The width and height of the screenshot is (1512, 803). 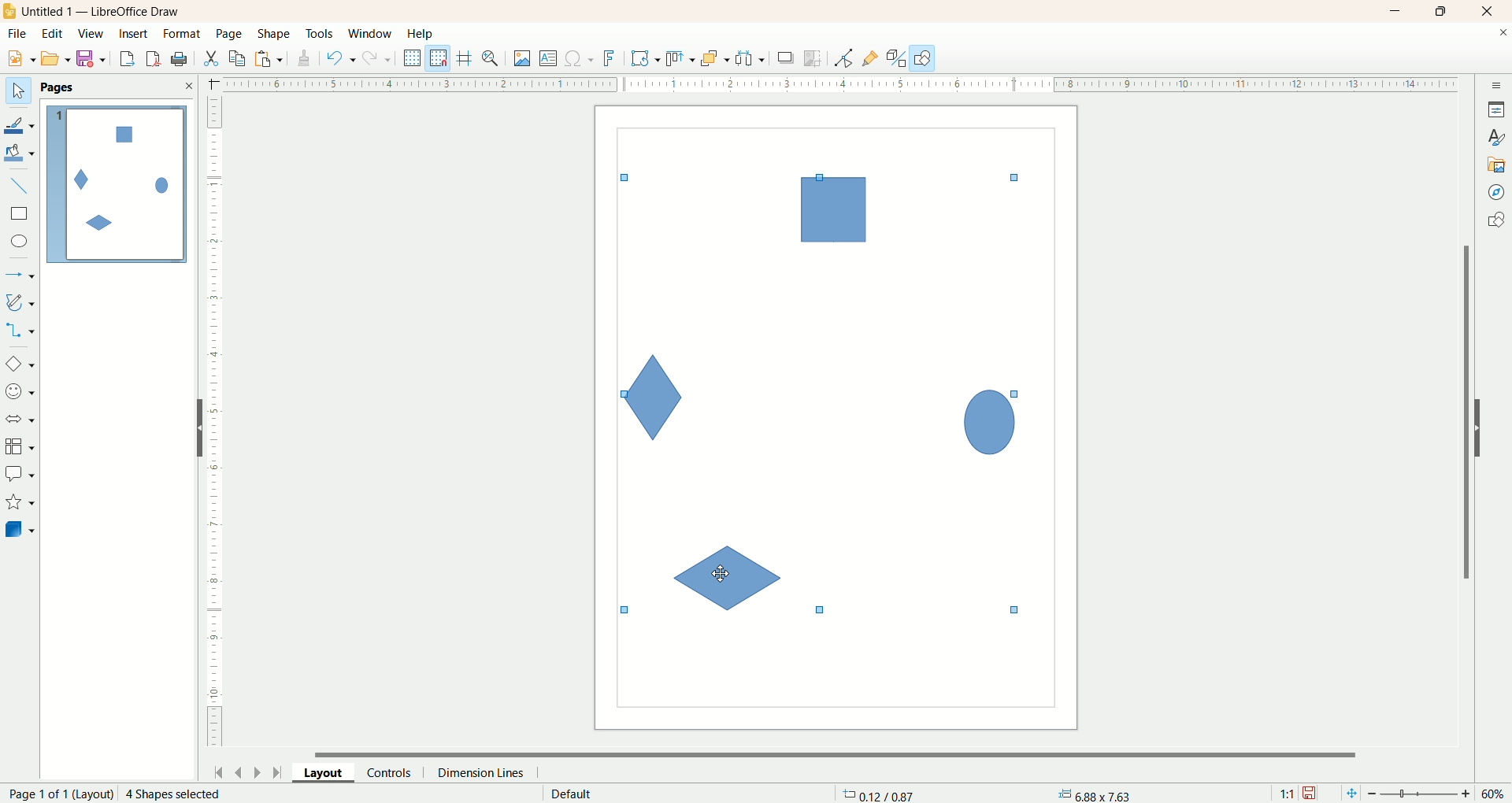 What do you see at coordinates (20, 475) in the screenshot?
I see `callout shapes` at bounding box center [20, 475].